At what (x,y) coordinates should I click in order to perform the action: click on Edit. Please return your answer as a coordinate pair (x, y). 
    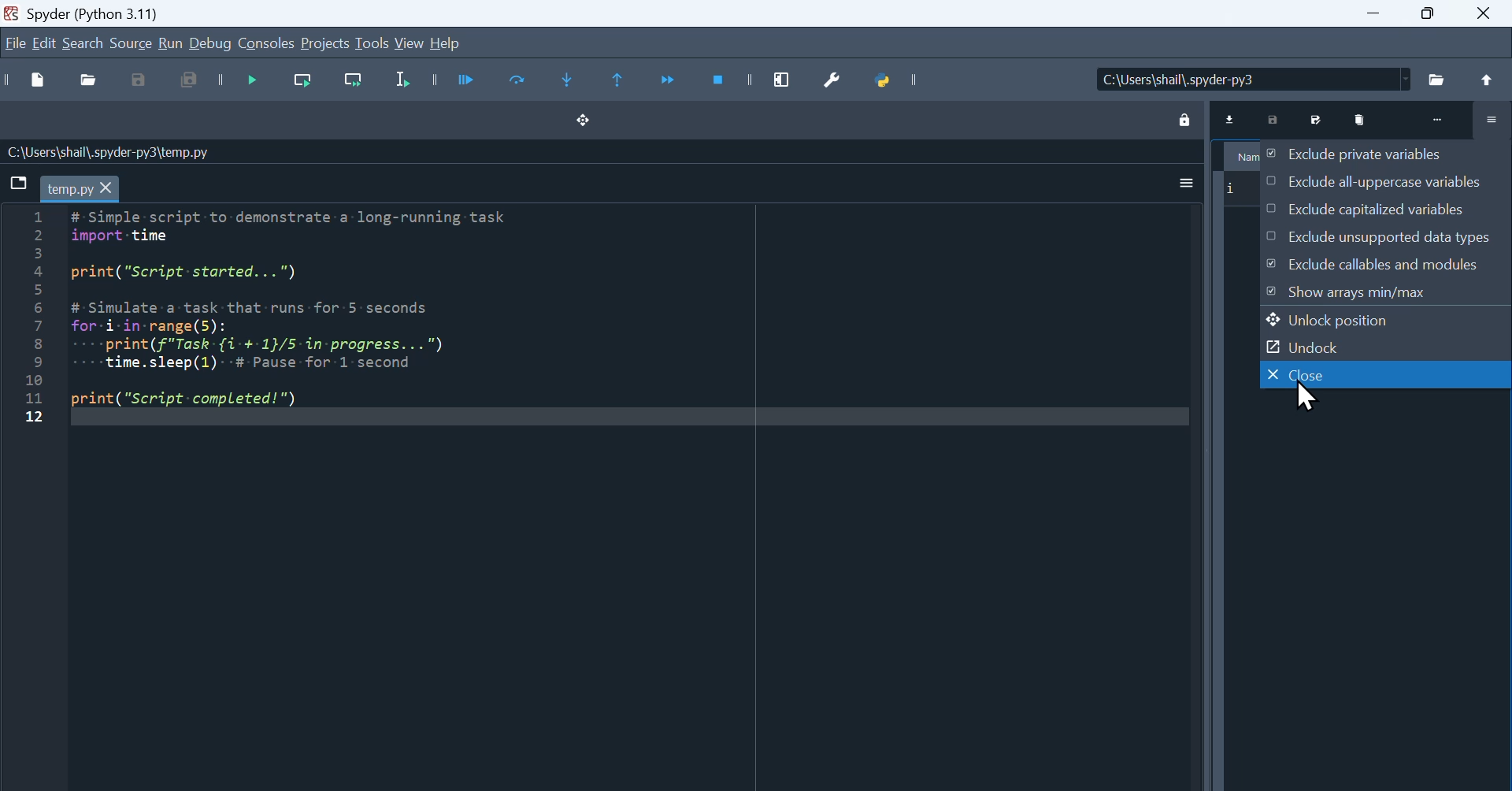
    Looking at the image, I should click on (44, 42).